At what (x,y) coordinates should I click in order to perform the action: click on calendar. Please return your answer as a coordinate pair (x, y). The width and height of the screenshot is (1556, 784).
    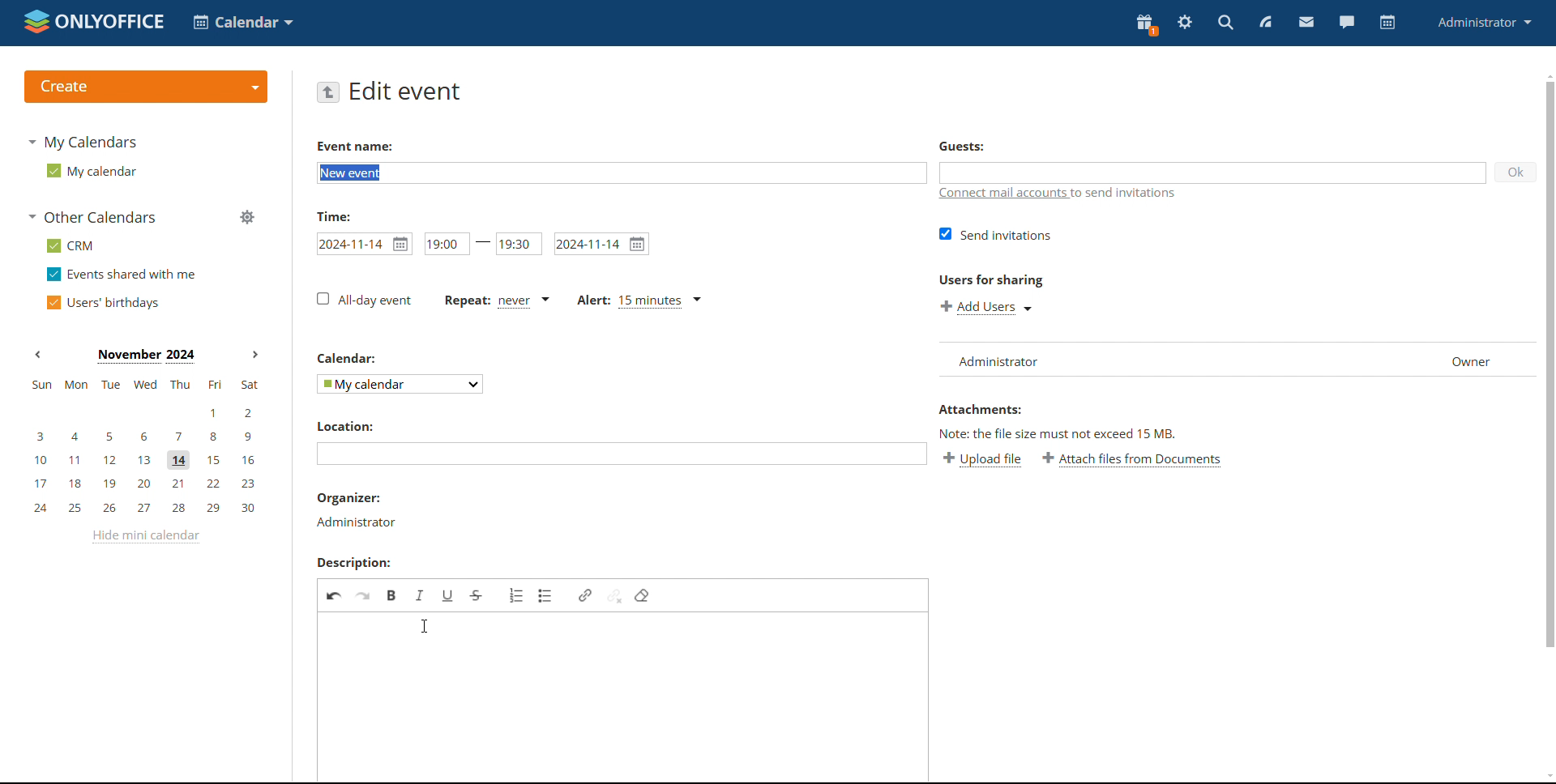
    Looking at the image, I should click on (357, 357).